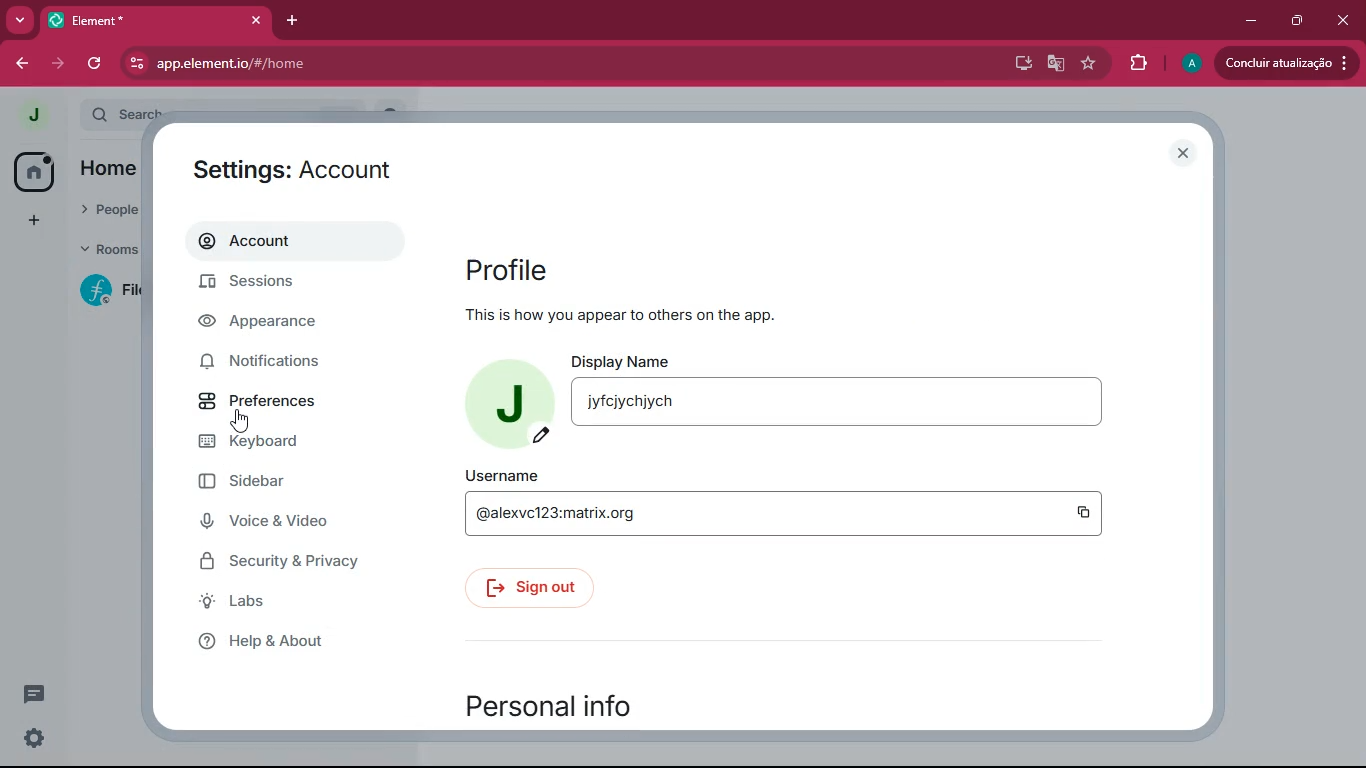 The height and width of the screenshot is (768, 1366). What do you see at coordinates (277, 443) in the screenshot?
I see `keyboard` at bounding box center [277, 443].